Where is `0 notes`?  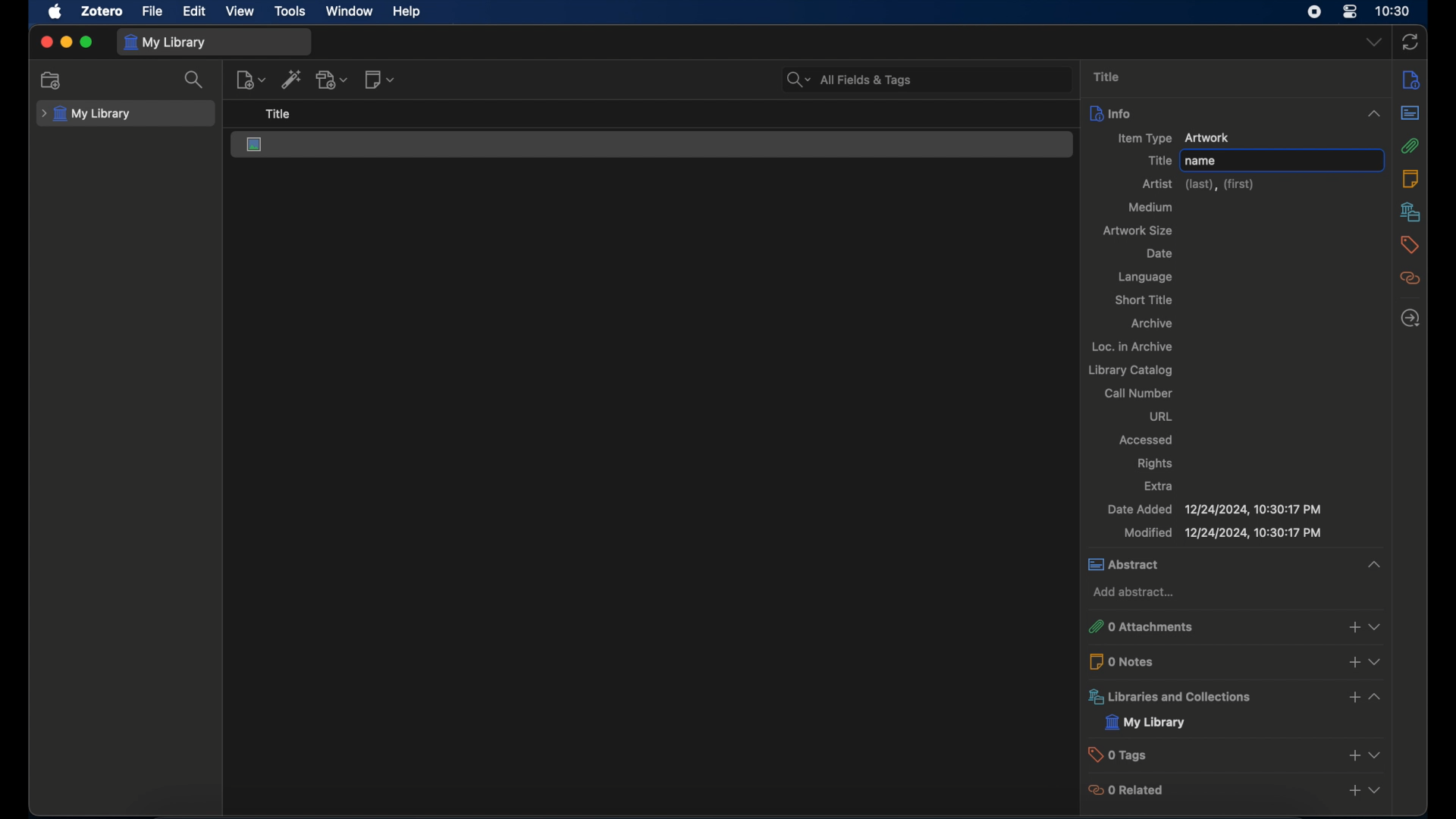 0 notes is located at coordinates (1137, 661).